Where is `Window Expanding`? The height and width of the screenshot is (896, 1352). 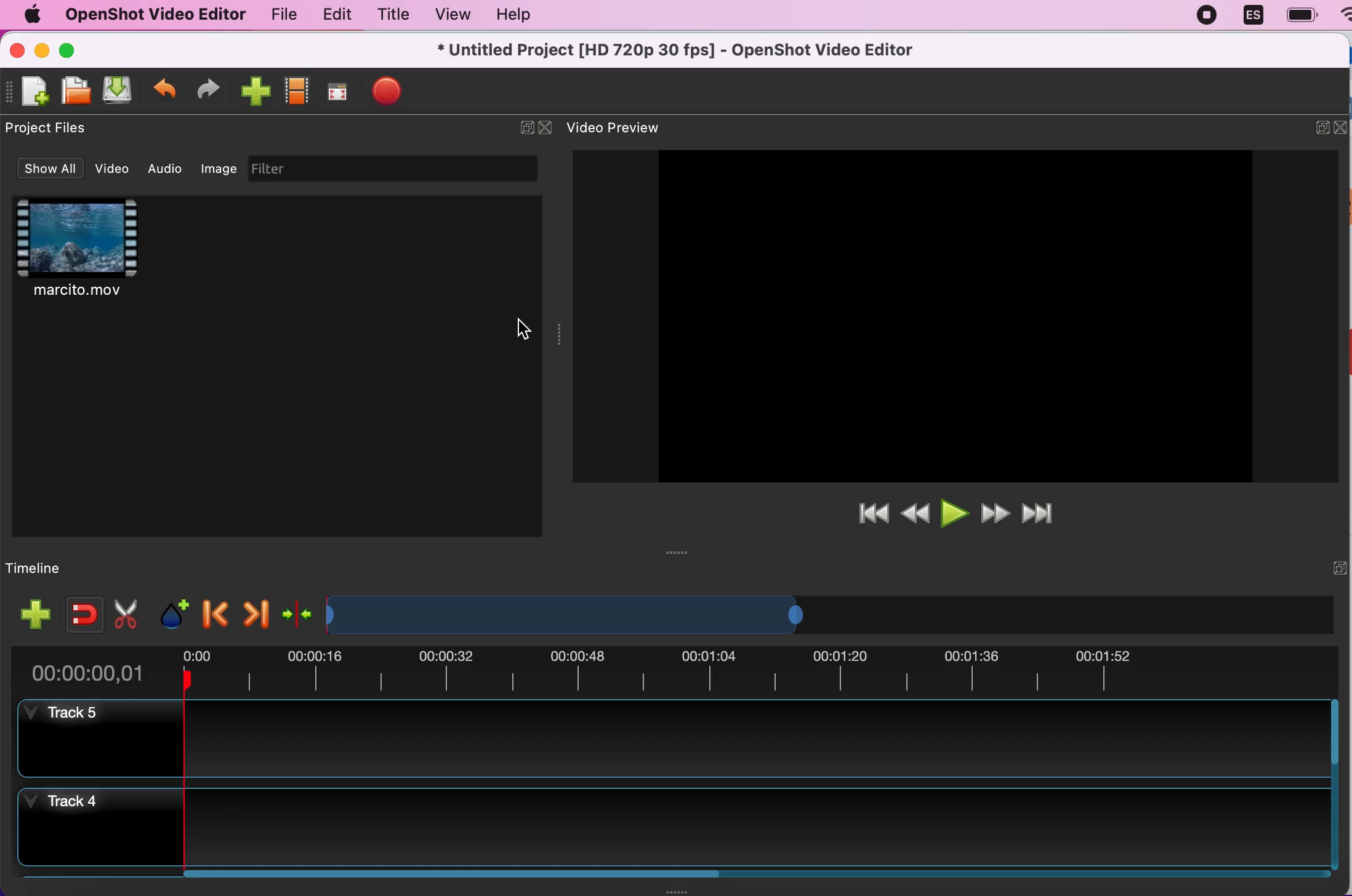 Window Expanding is located at coordinates (560, 335).